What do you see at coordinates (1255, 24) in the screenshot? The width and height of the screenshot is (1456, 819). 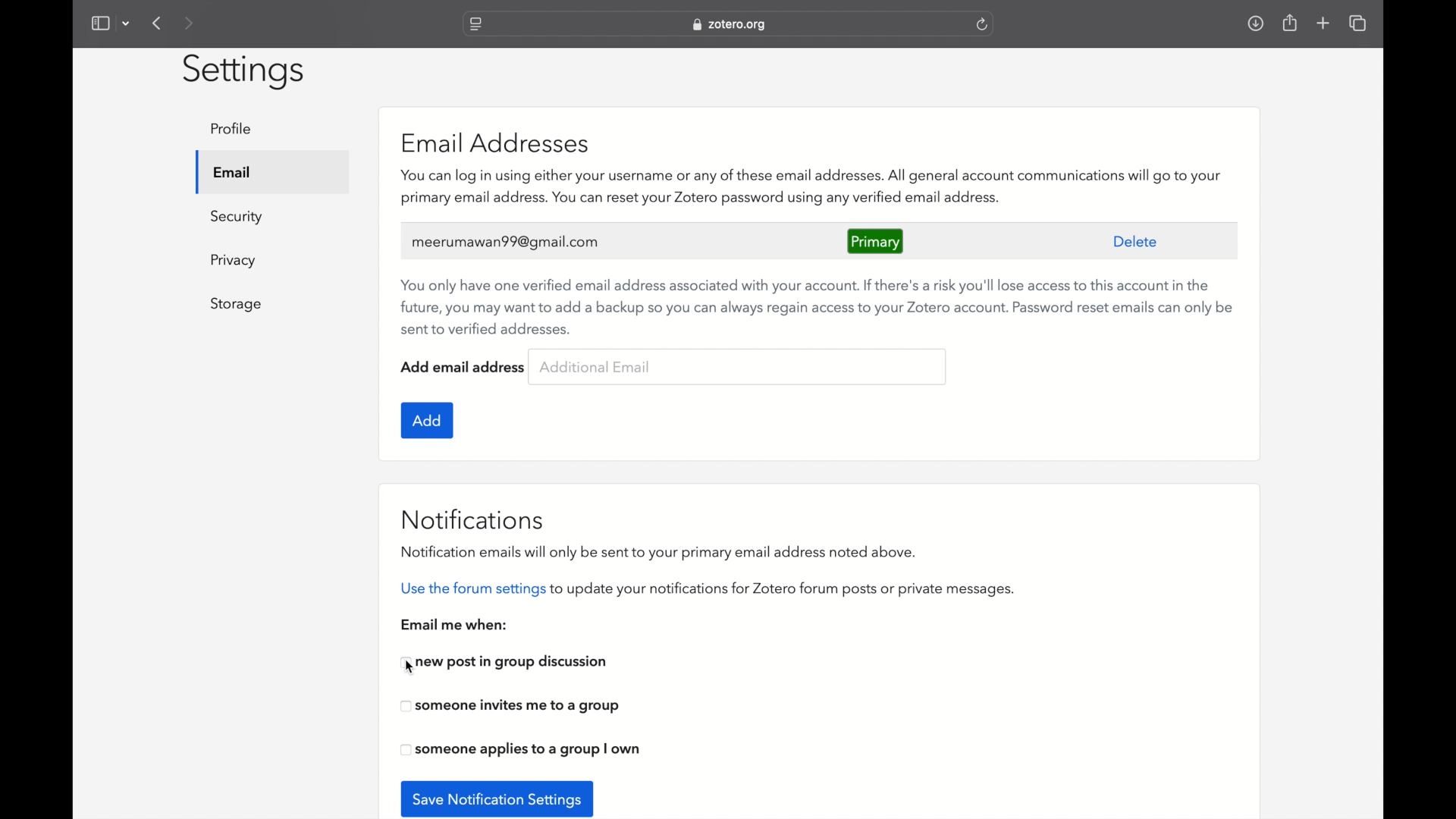 I see `downloads` at bounding box center [1255, 24].